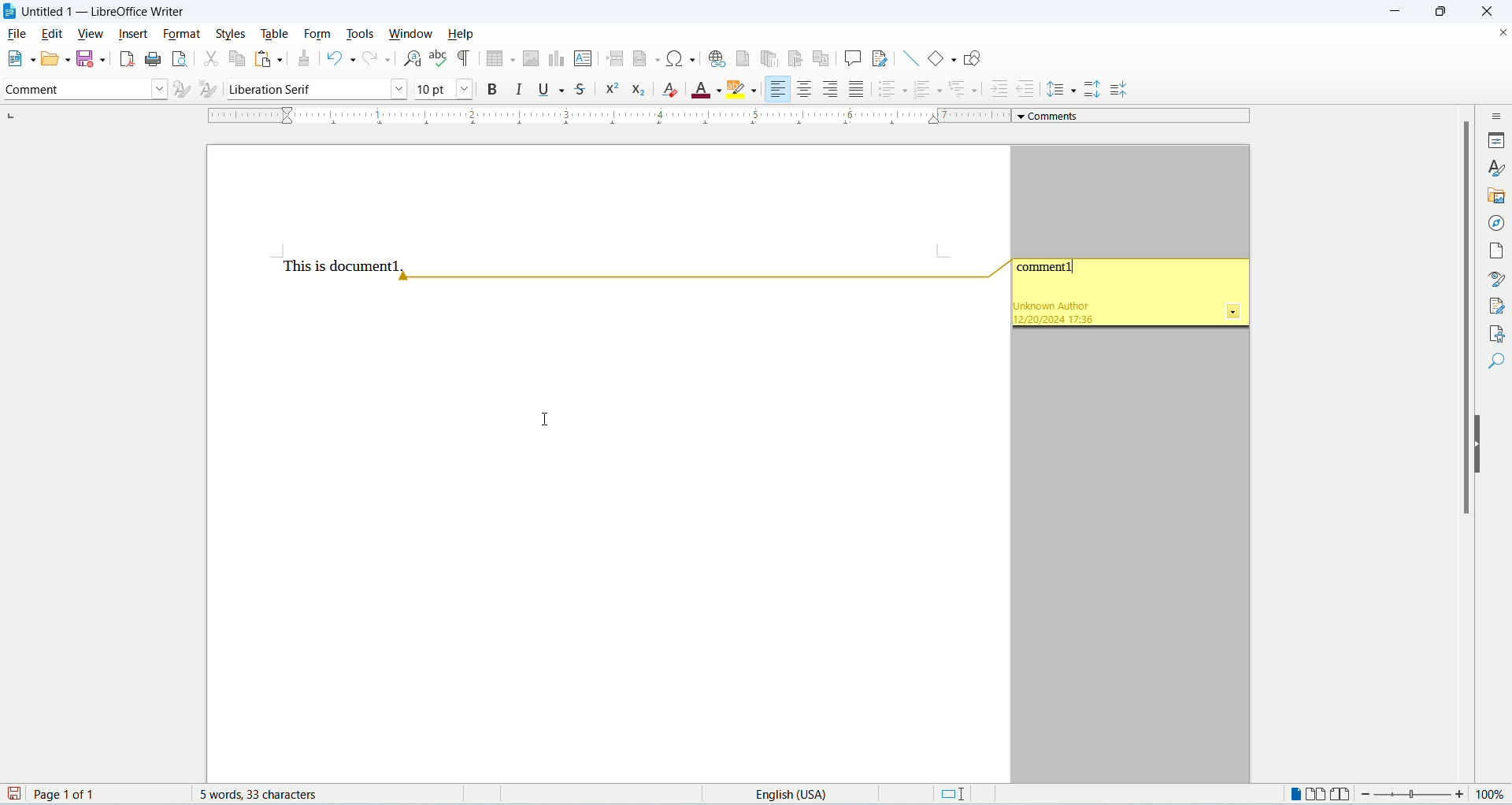 Image resolution: width=1512 pixels, height=805 pixels. Describe the element at coordinates (795, 60) in the screenshot. I see `insert bibliograph` at that location.